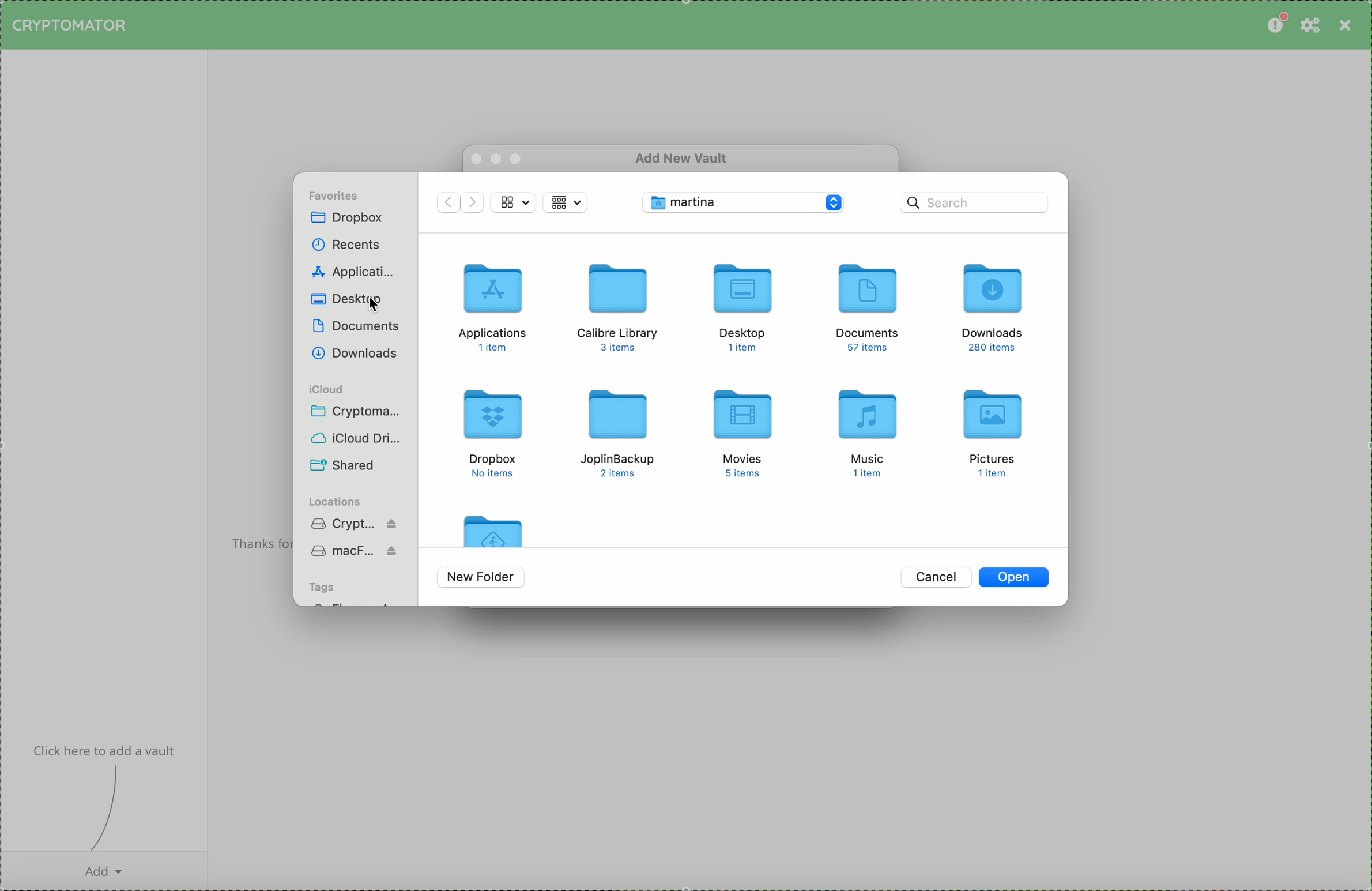 This screenshot has height=891, width=1372. What do you see at coordinates (739, 312) in the screenshot?
I see `desktop` at bounding box center [739, 312].